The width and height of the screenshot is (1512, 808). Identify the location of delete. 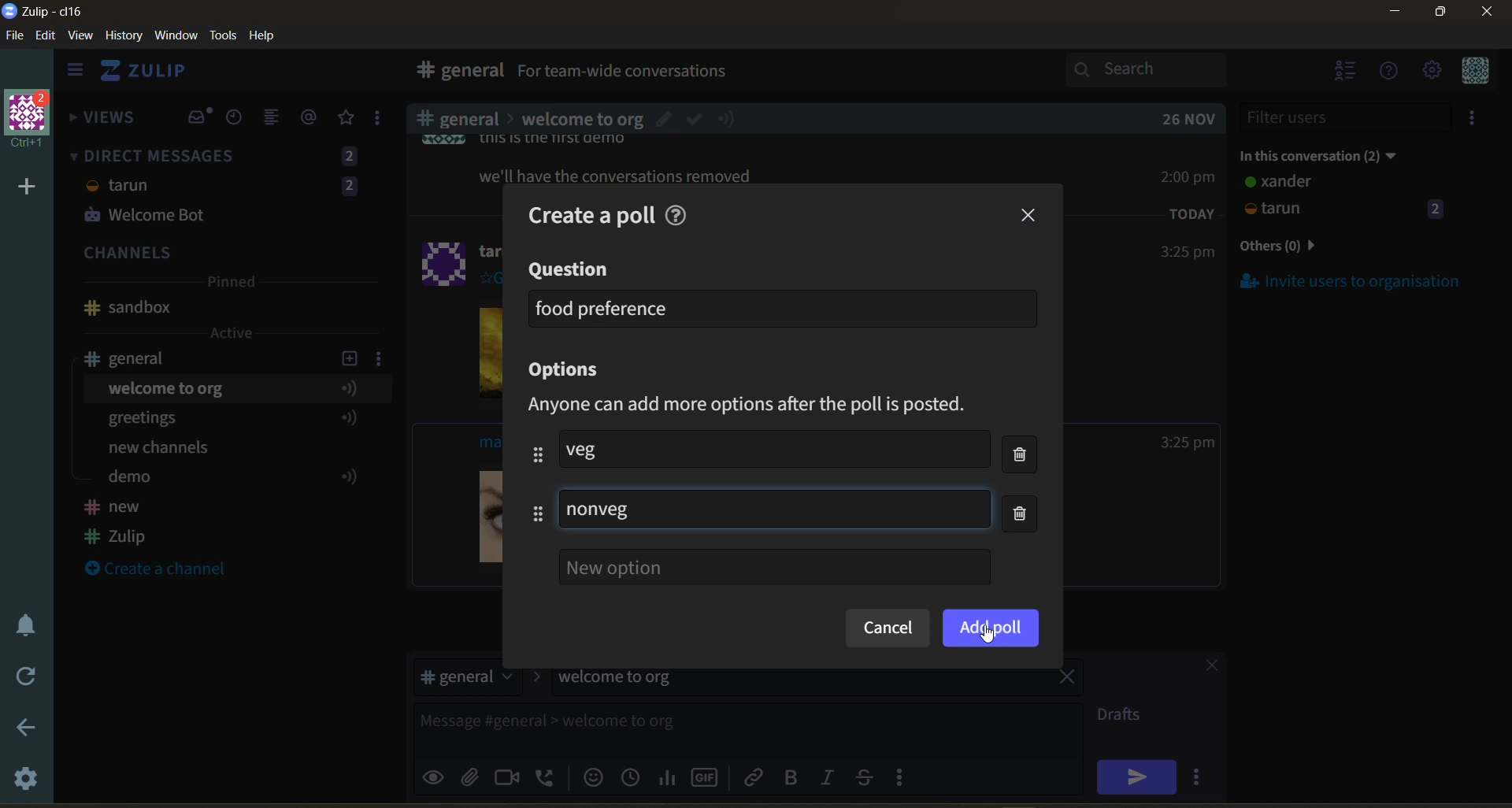
(1025, 487).